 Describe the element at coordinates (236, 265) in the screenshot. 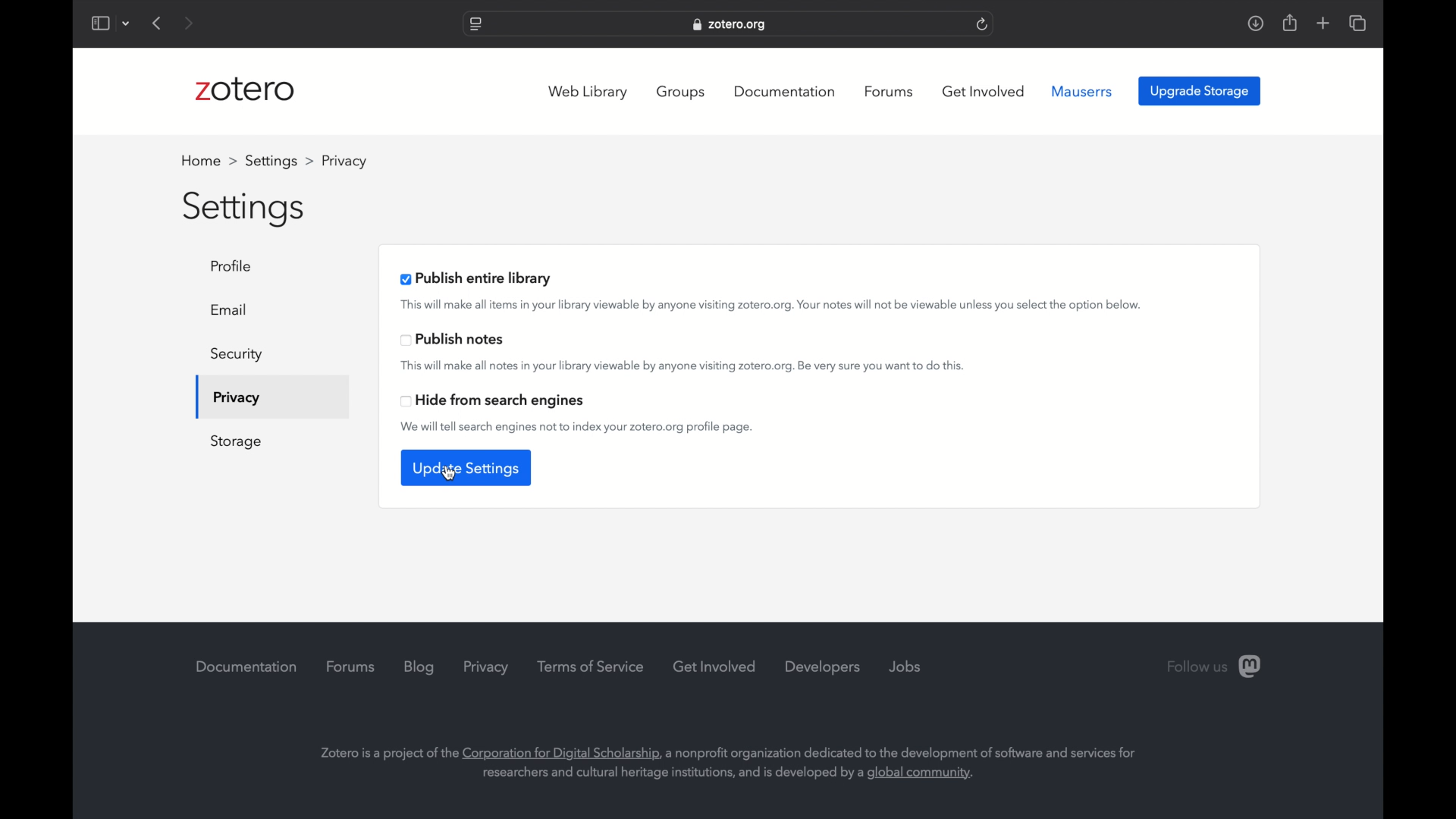

I see `profile` at that location.